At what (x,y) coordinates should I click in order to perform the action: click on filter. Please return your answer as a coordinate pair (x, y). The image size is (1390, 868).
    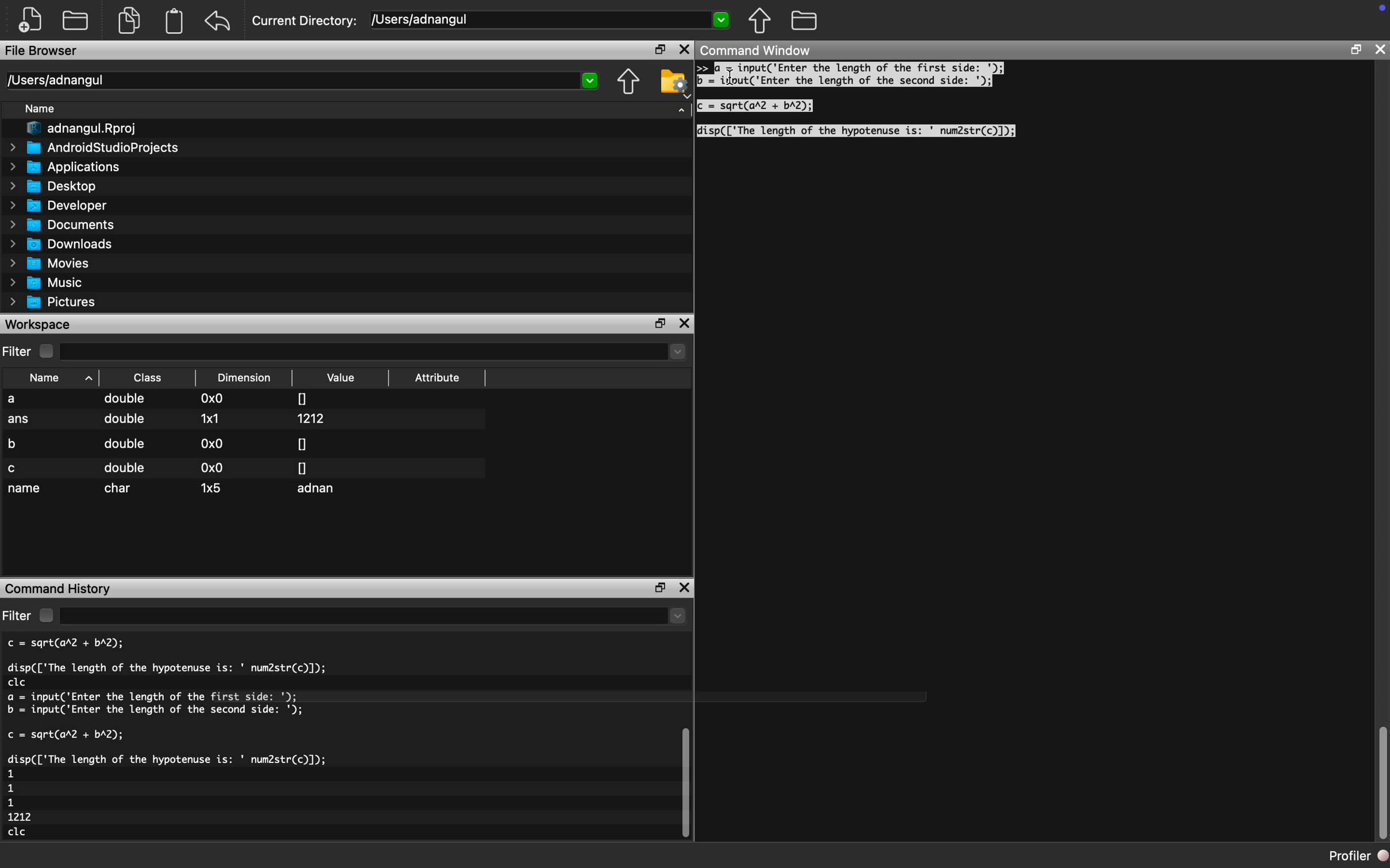
    Looking at the image, I should click on (17, 615).